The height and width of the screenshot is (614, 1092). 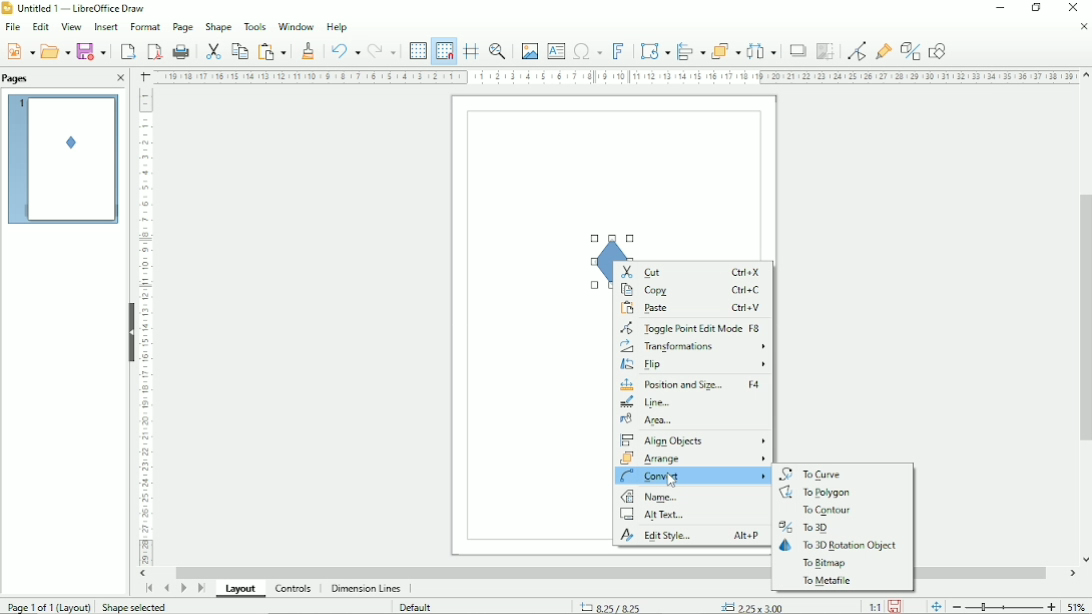 What do you see at coordinates (940, 49) in the screenshot?
I see `Show draw functions` at bounding box center [940, 49].